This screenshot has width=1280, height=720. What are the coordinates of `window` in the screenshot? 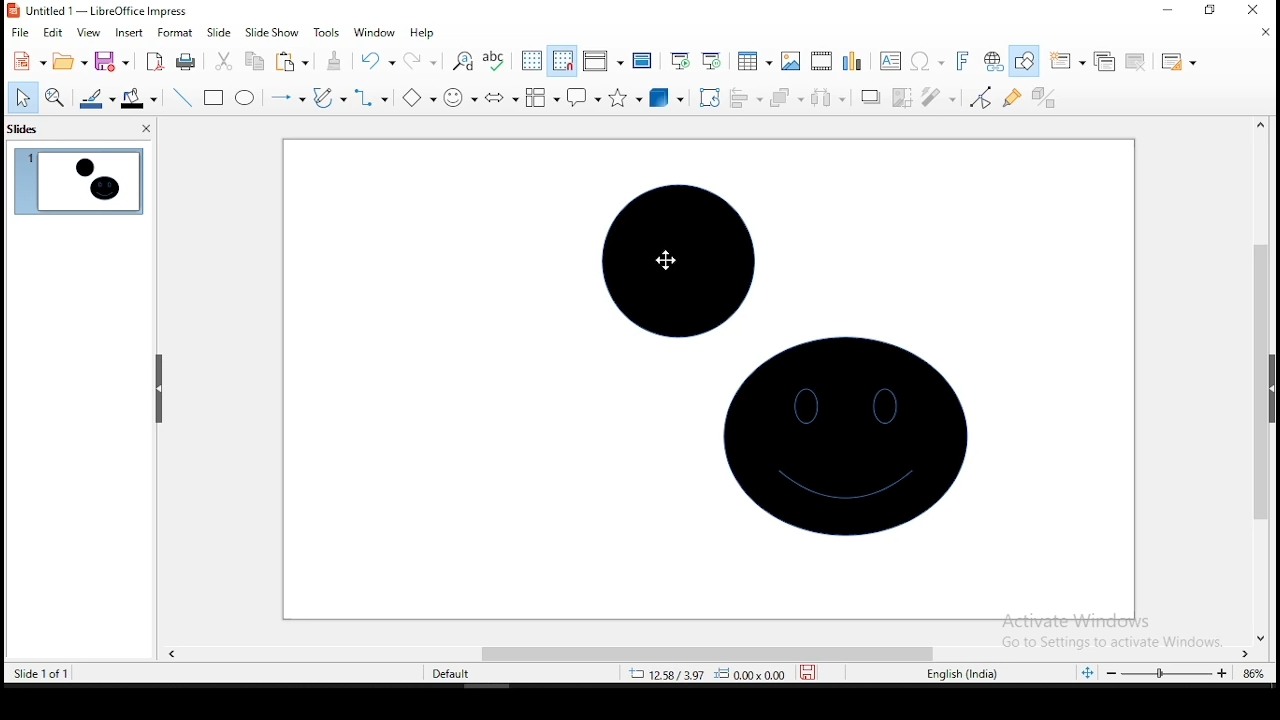 It's located at (372, 32).